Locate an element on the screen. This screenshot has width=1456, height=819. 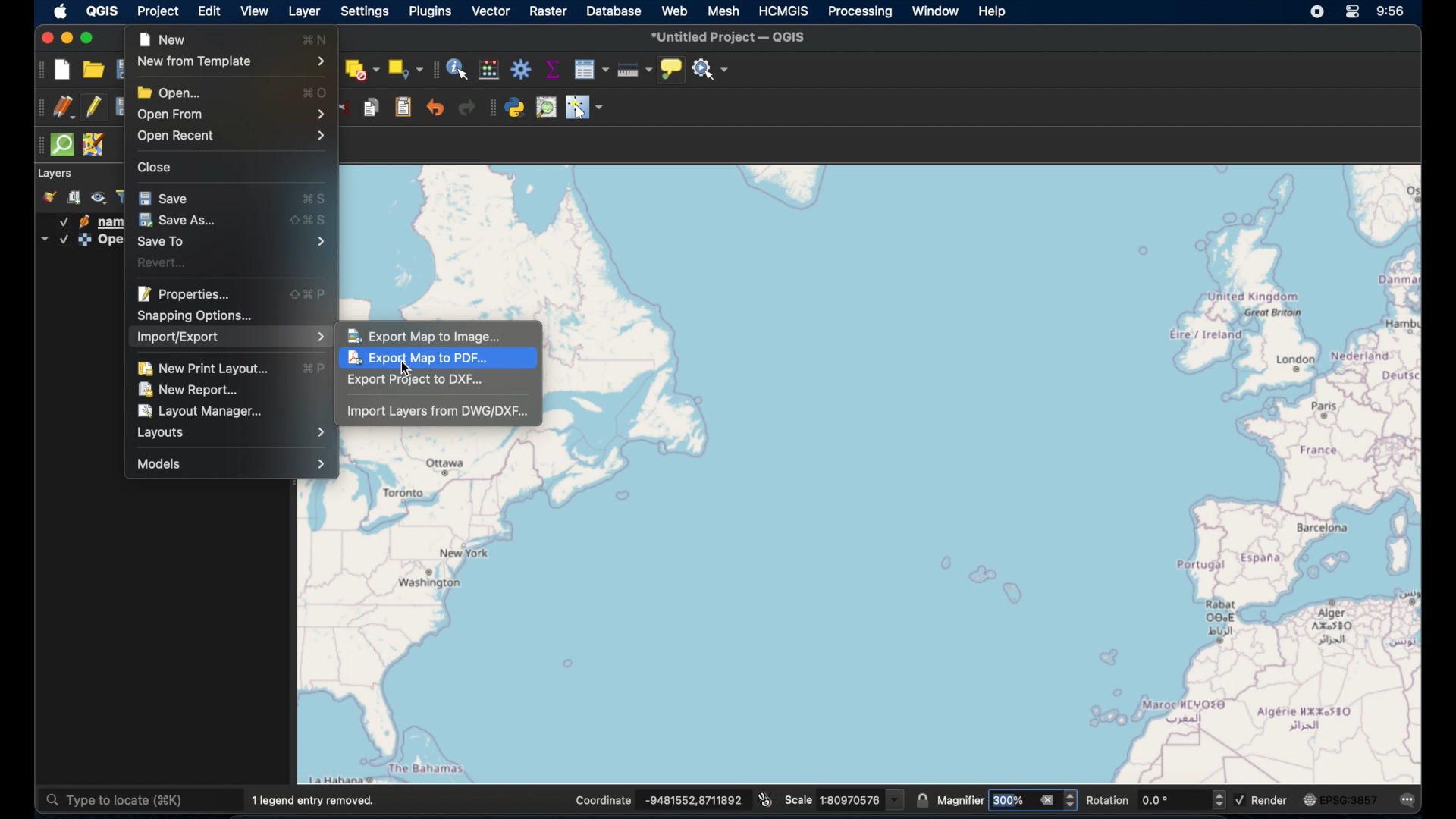
measure line is located at coordinates (635, 69).